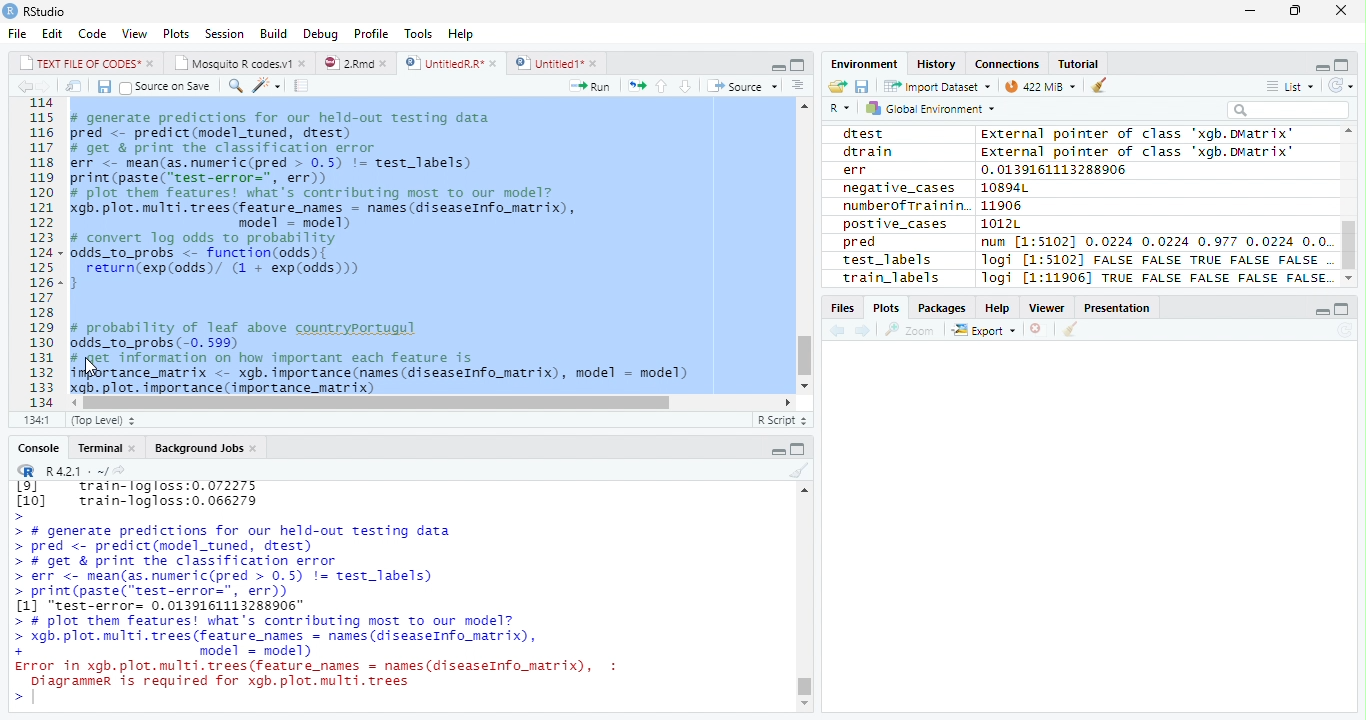 The image size is (1366, 720). I want to click on # generate predictions for our held-out testing data
pred <- predict(model_tuned, drest)
# get & print the classification error
err <- mean(as.numeric(pred > 0.5) != test_labels)
print (paste(“test-error=", err))
# plot them features! what's contributing most to our model?
gb. plot. multi. trees (feature_names = names (diseaseInfo_matrix),
model = model)
# convert log odds to probability
odds_to_probs <- function(odds){
return(exp(odds)/ (1 + exp(0dds)))
3, so click(334, 204).